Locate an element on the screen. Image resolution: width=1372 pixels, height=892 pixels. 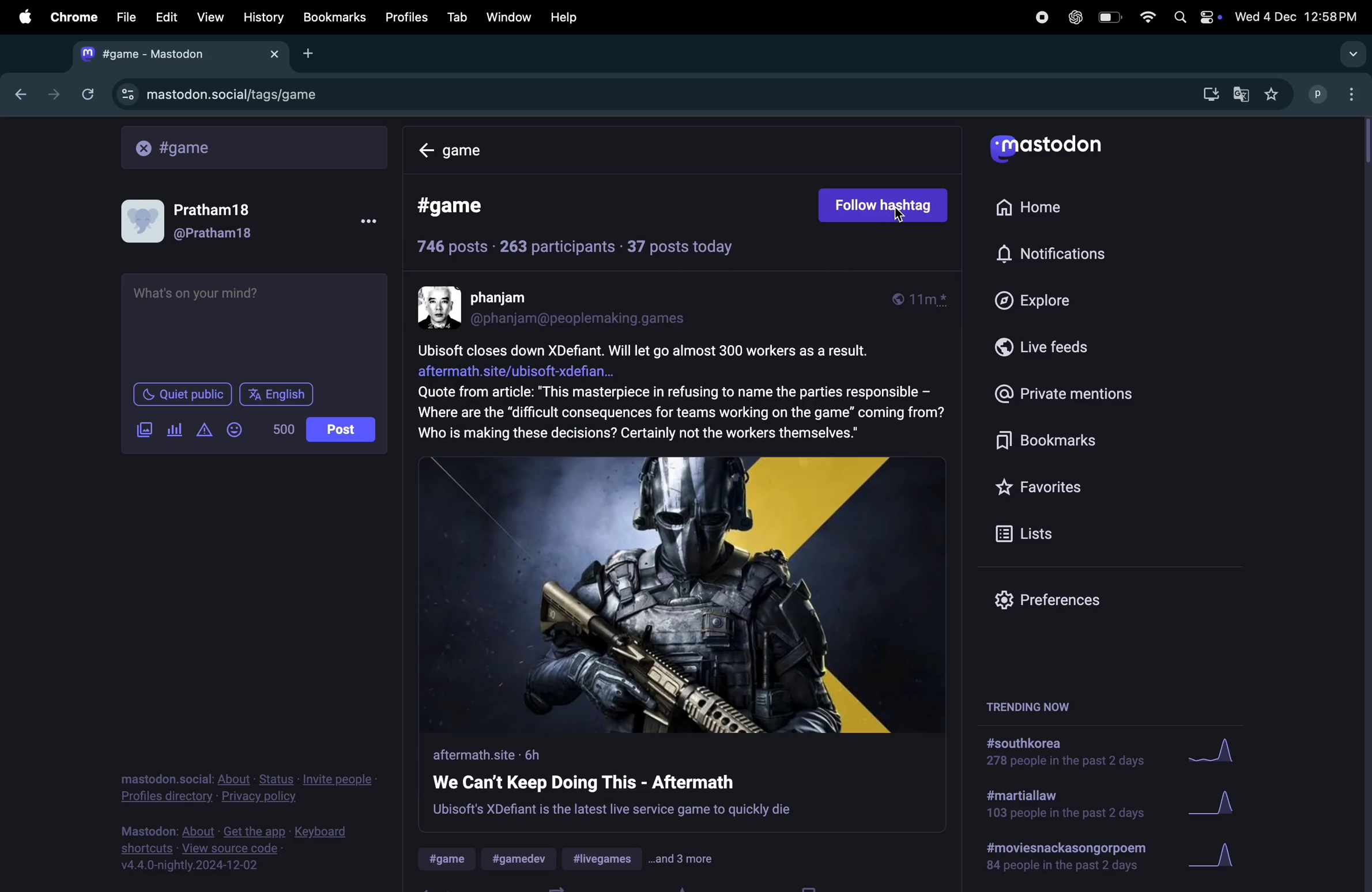
Game image is located at coordinates (684, 593).